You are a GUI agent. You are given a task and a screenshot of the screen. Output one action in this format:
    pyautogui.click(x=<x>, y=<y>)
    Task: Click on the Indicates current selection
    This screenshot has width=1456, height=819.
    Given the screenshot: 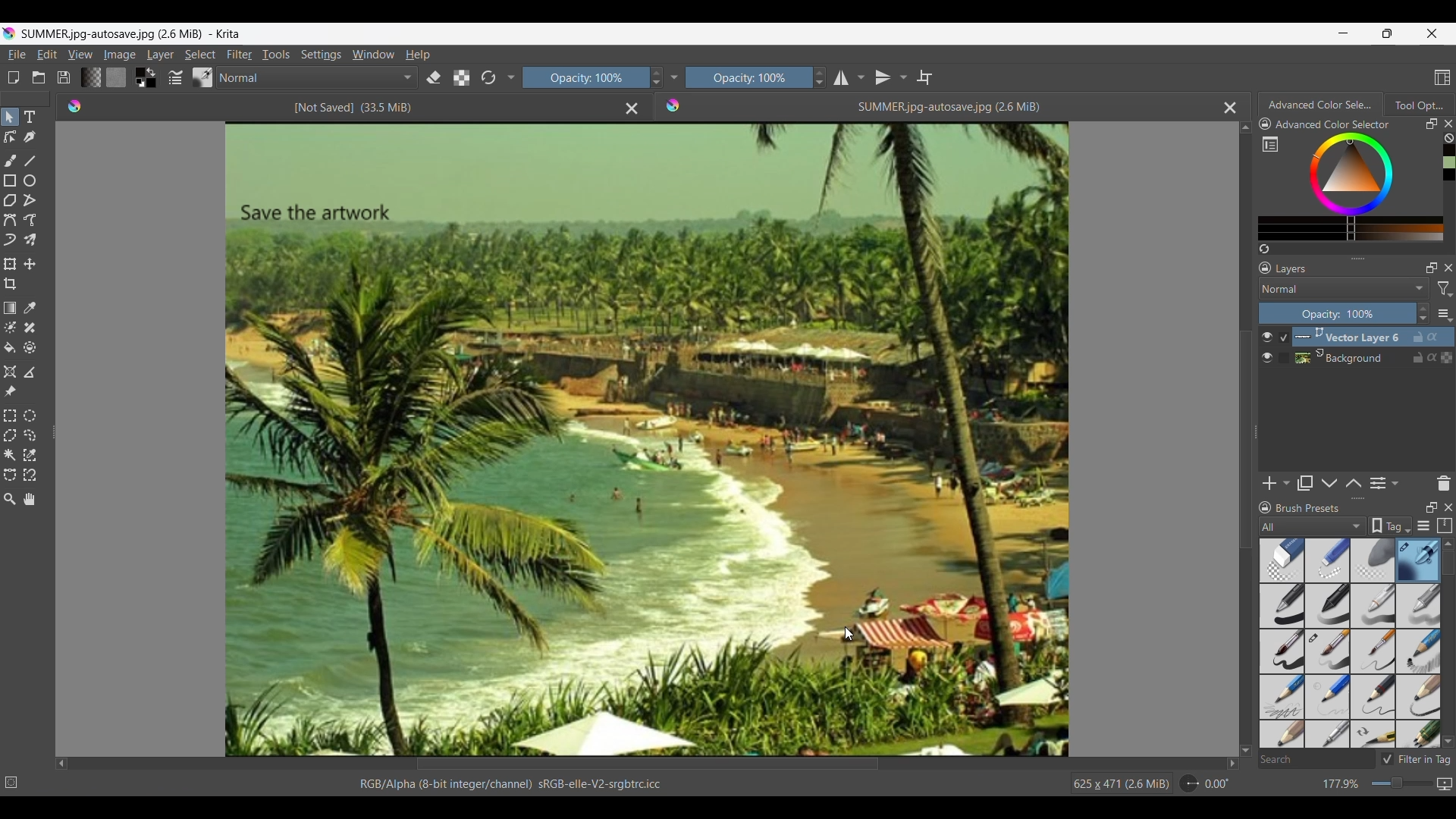 What is the action you would take?
    pyautogui.click(x=1283, y=347)
    